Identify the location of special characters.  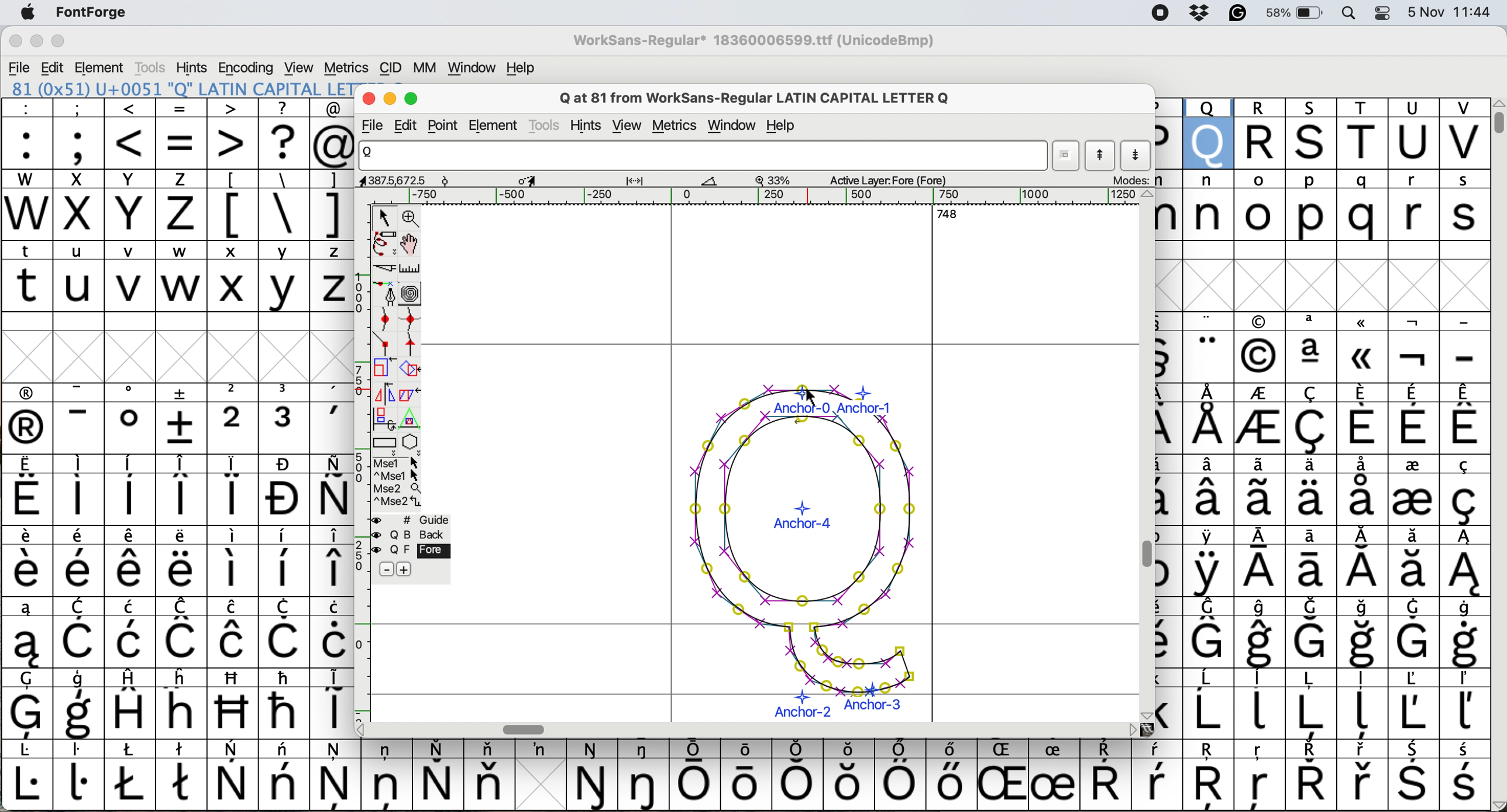
(183, 112).